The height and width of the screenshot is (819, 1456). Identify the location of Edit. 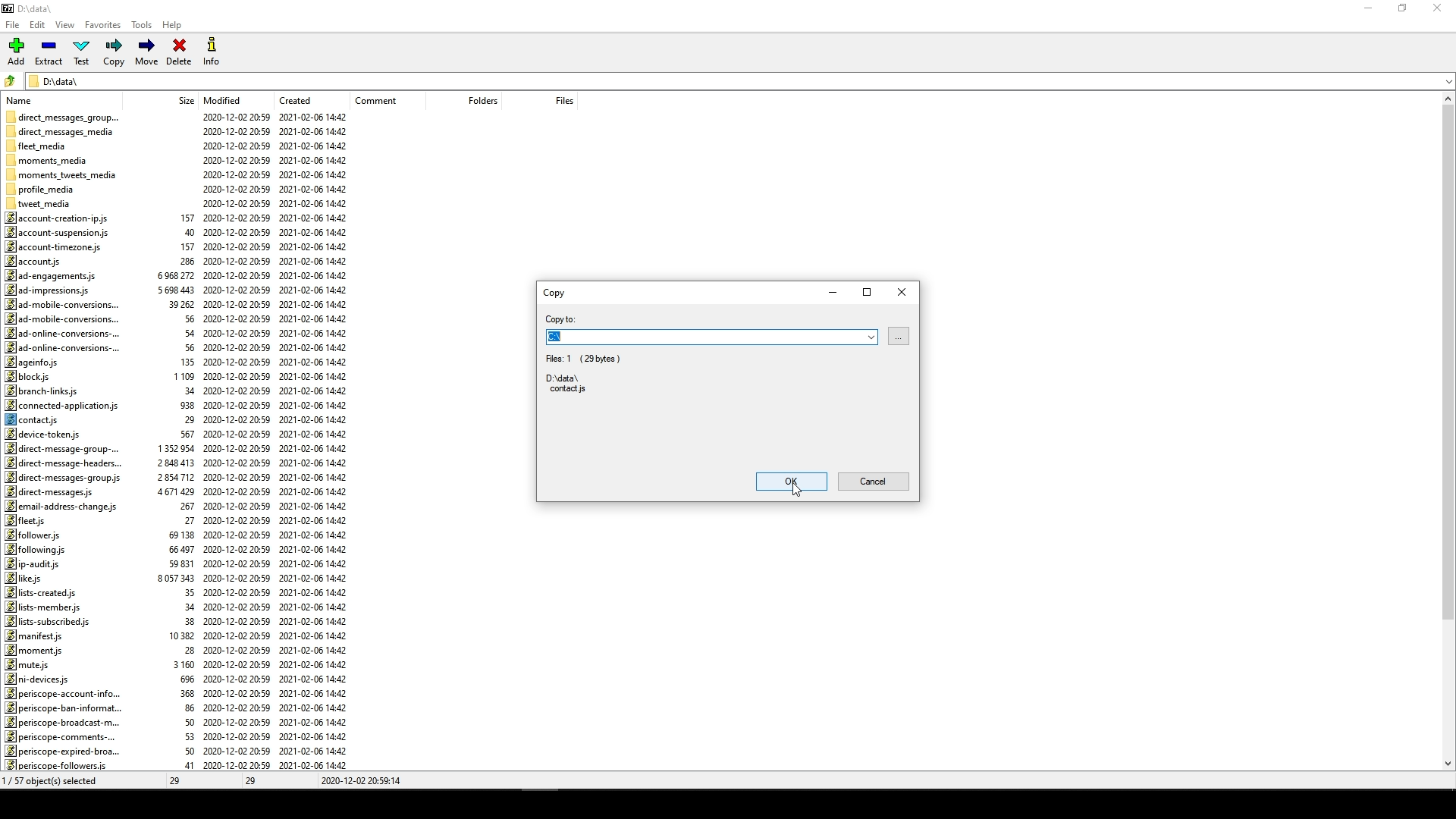
(37, 24).